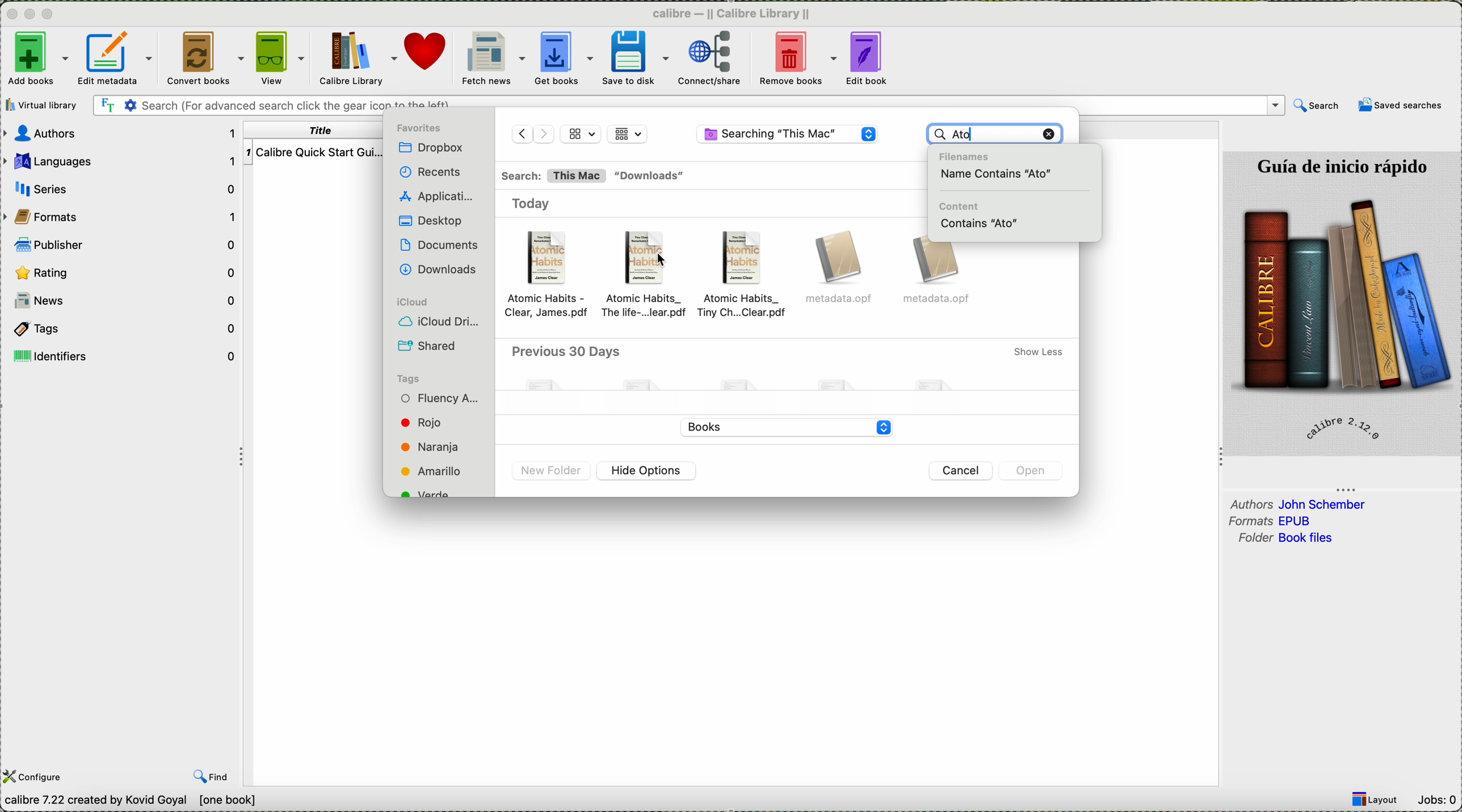 The image size is (1462, 812). Describe the element at coordinates (356, 59) in the screenshot. I see `Calibre library` at that location.